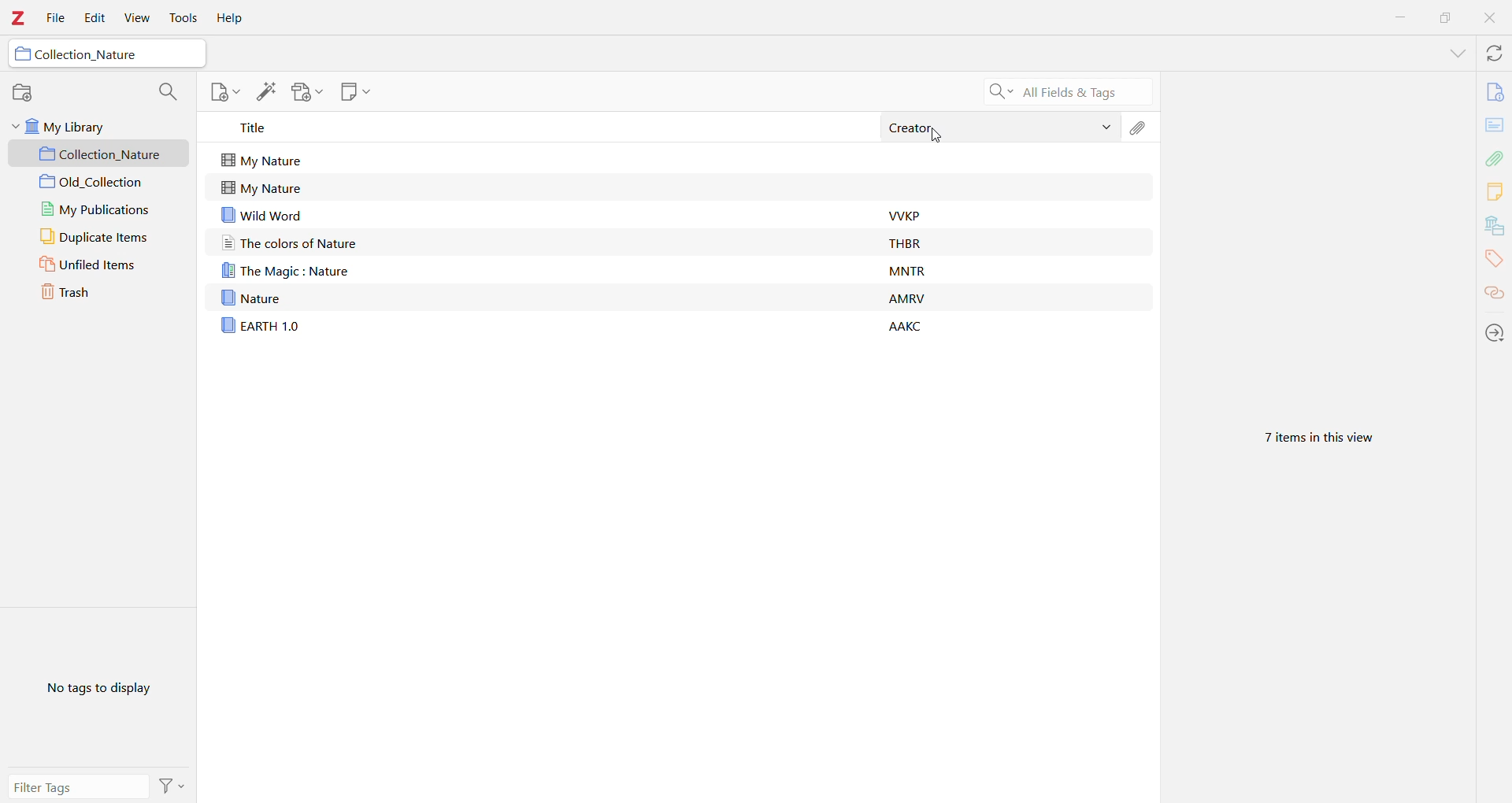  Describe the element at coordinates (288, 272) in the screenshot. I see `The magic: nature` at that location.